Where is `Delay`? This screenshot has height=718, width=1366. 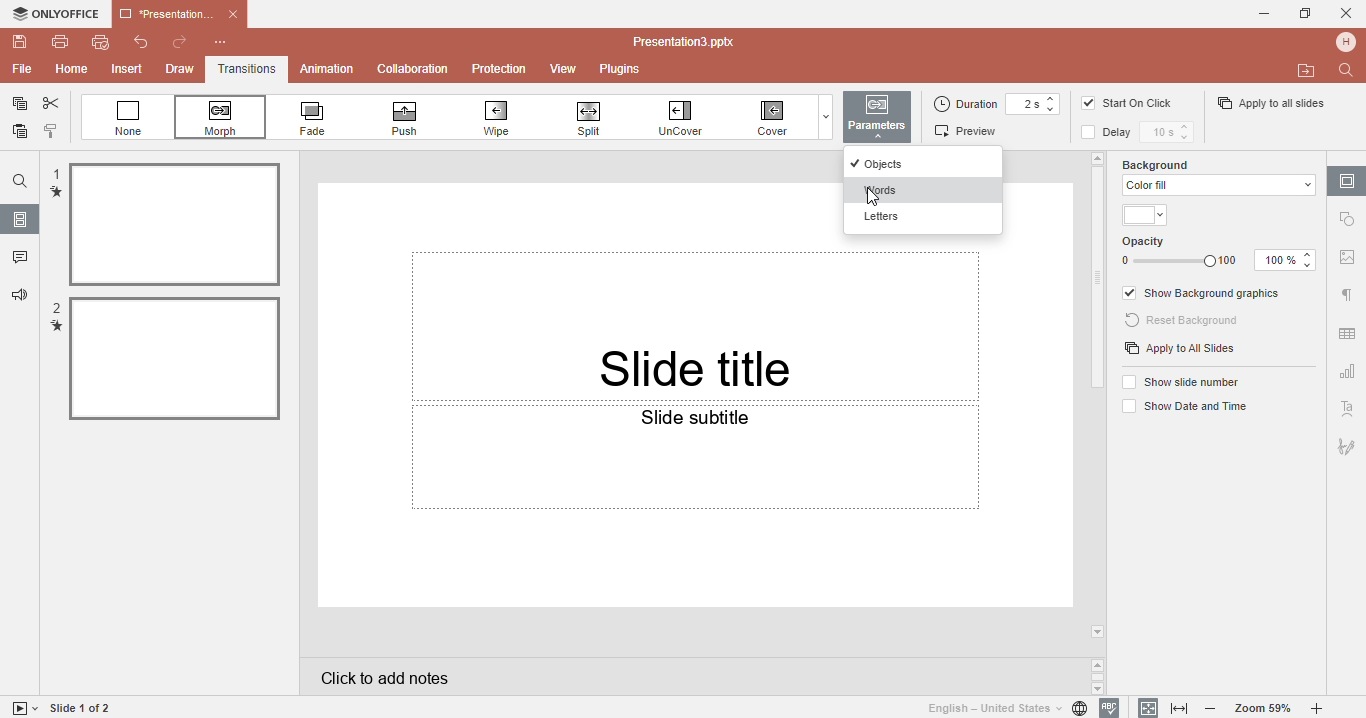 Delay is located at coordinates (1112, 132).